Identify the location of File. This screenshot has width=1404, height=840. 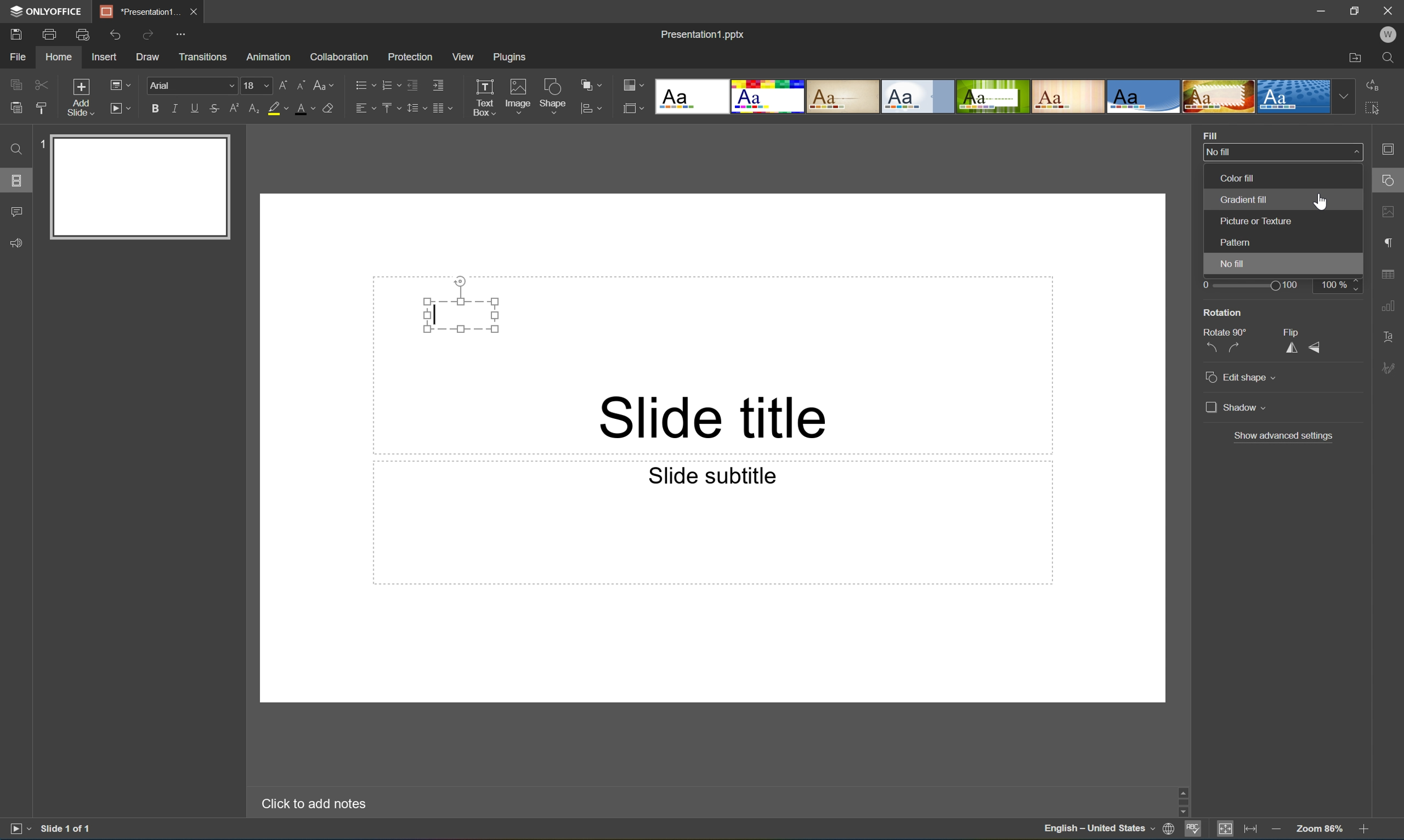
(18, 57).